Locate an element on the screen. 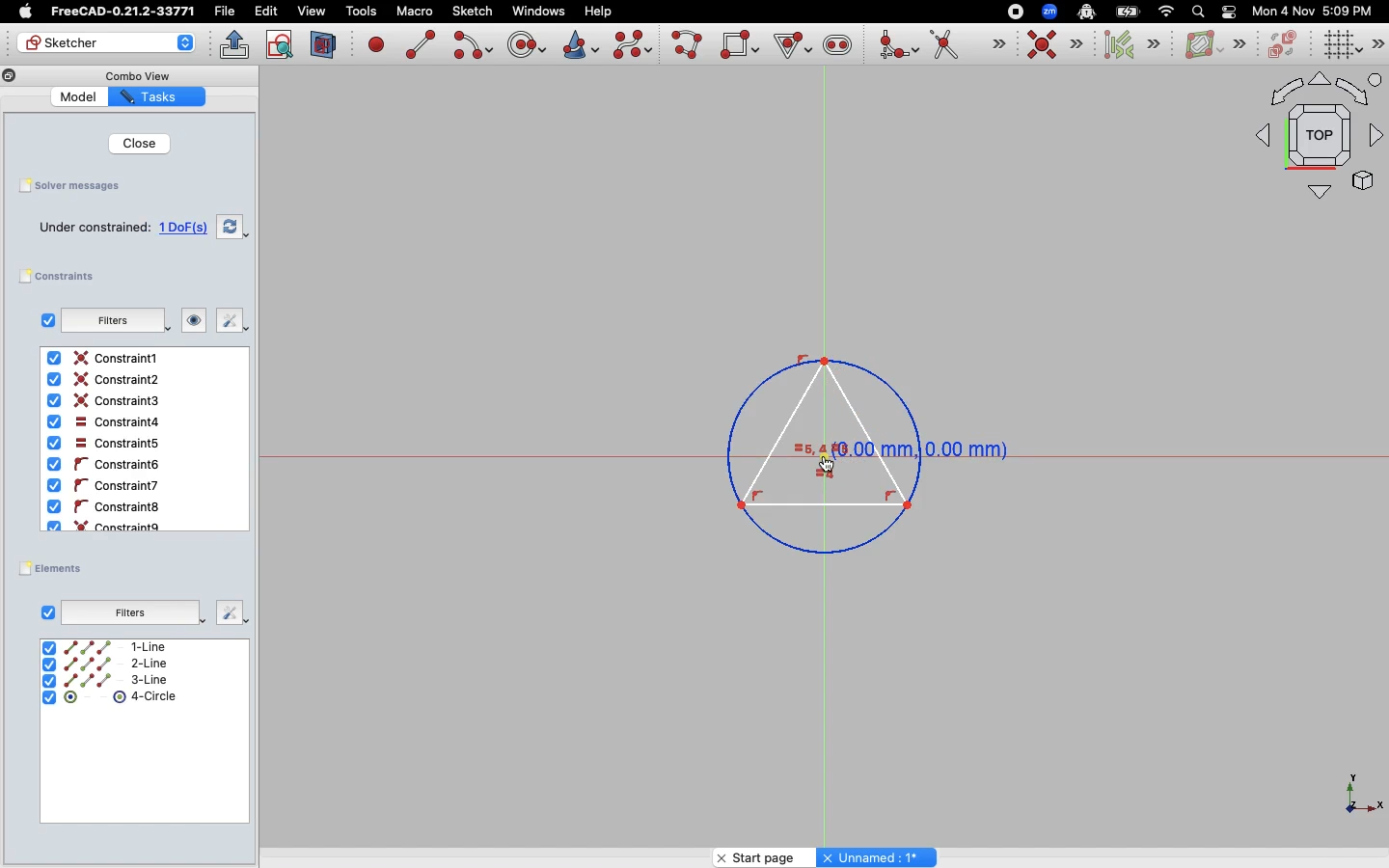 This screenshot has width=1389, height=868. 2-Line is located at coordinates (118, 664).